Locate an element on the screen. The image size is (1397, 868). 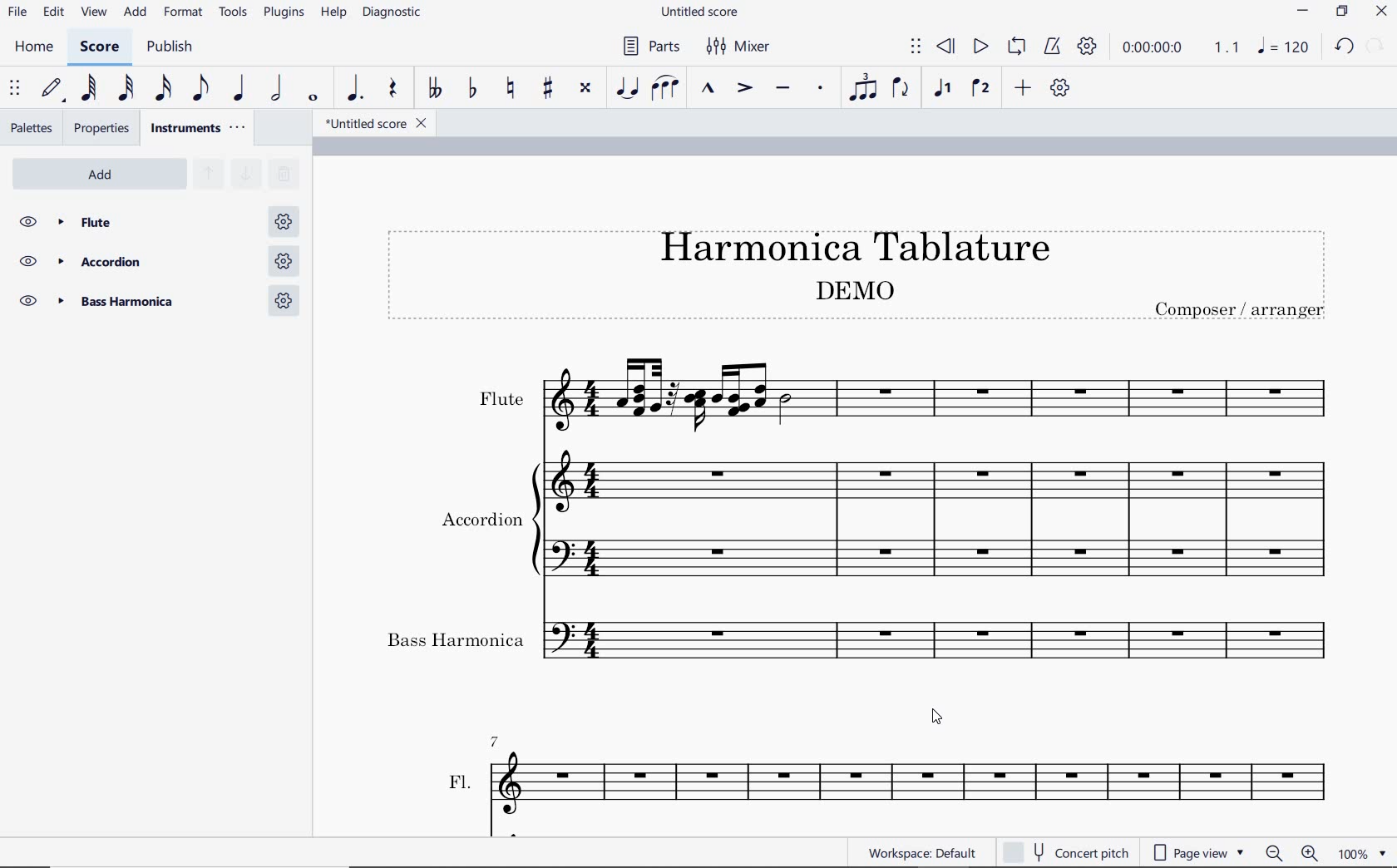
MINIMIZE is located at coordinates (1305, 11).